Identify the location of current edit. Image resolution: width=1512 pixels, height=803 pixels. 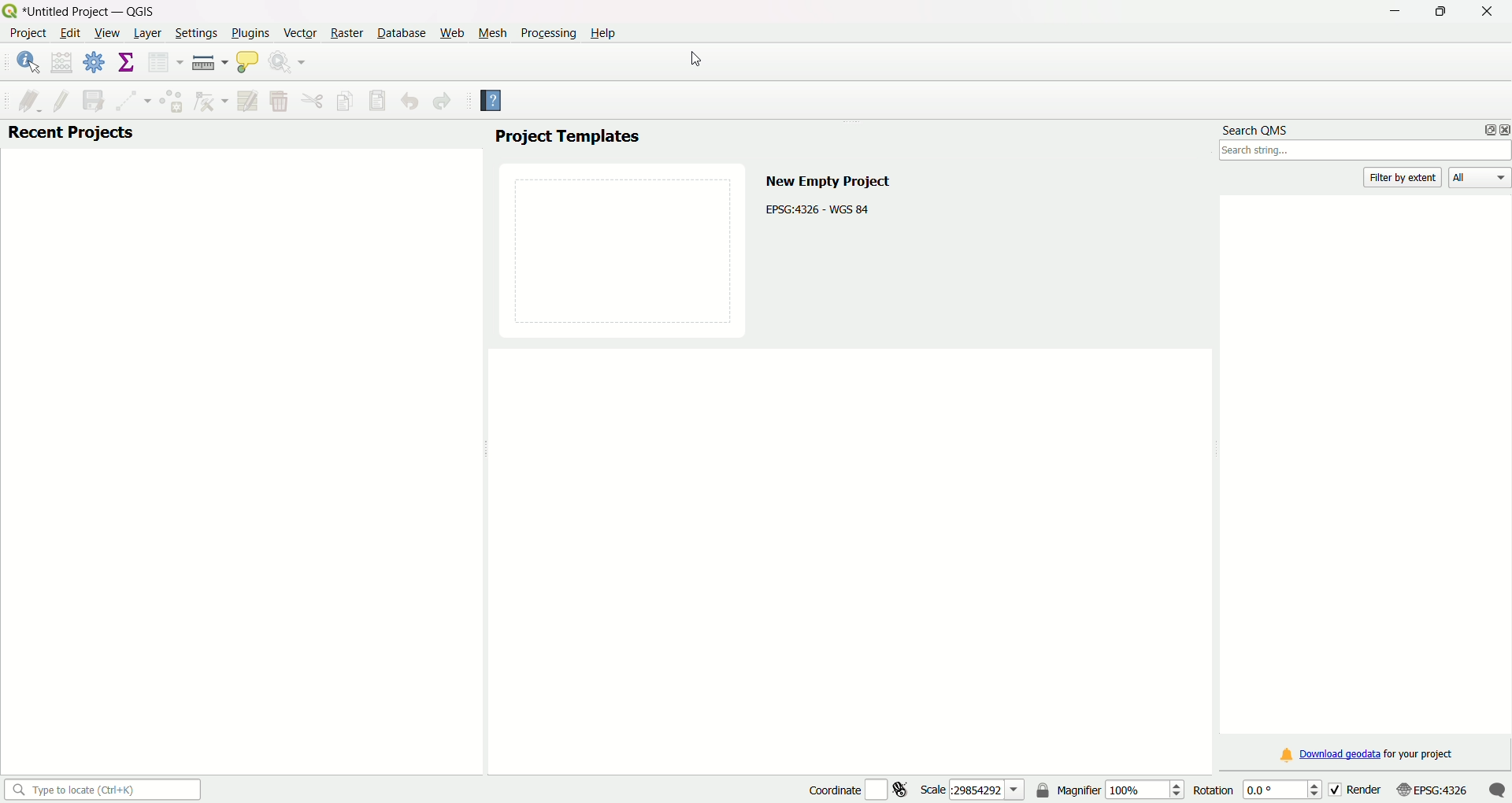
(23, 99).